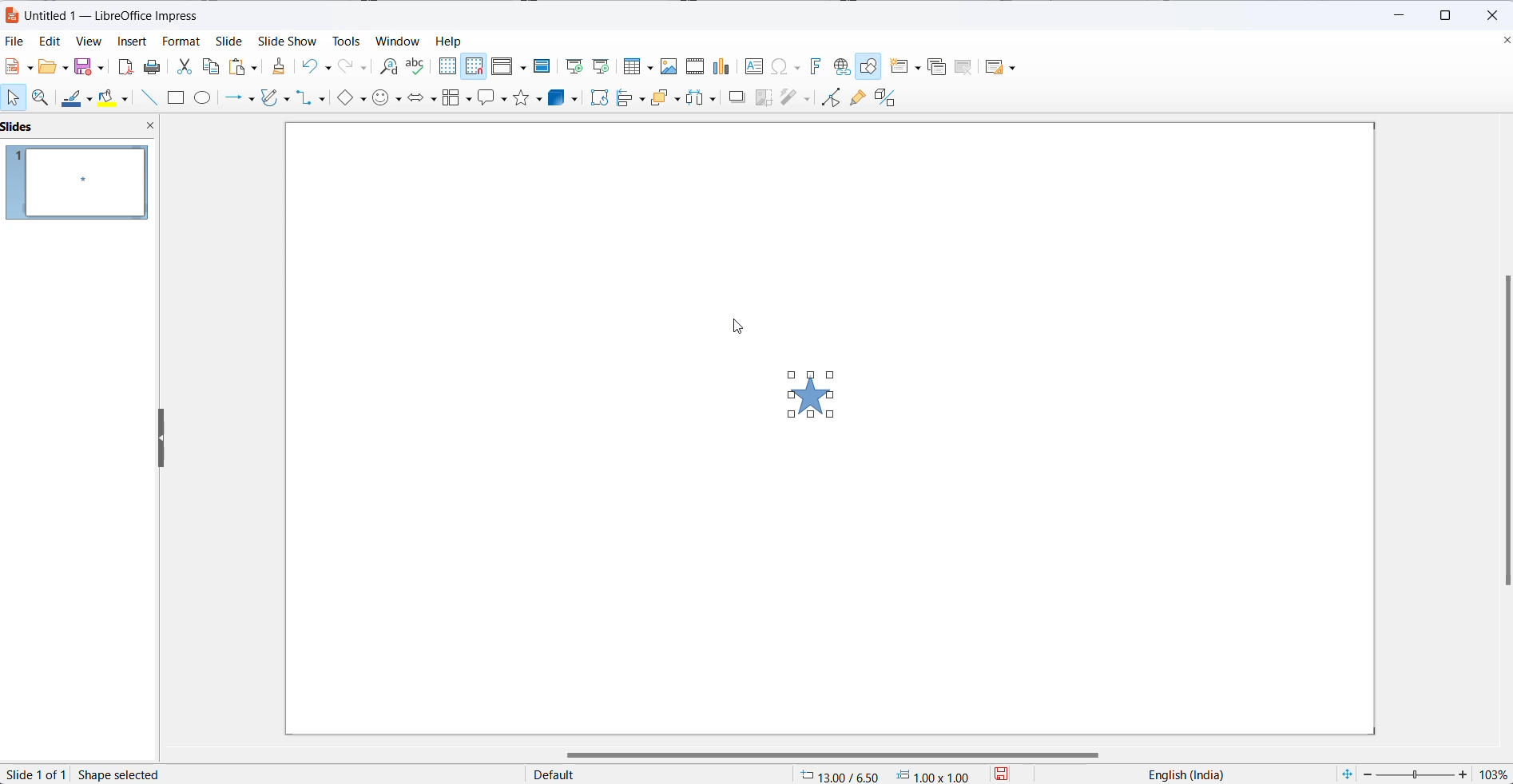 The image size is (1513, 784). I want to click on block arrows, so click(421, 97).